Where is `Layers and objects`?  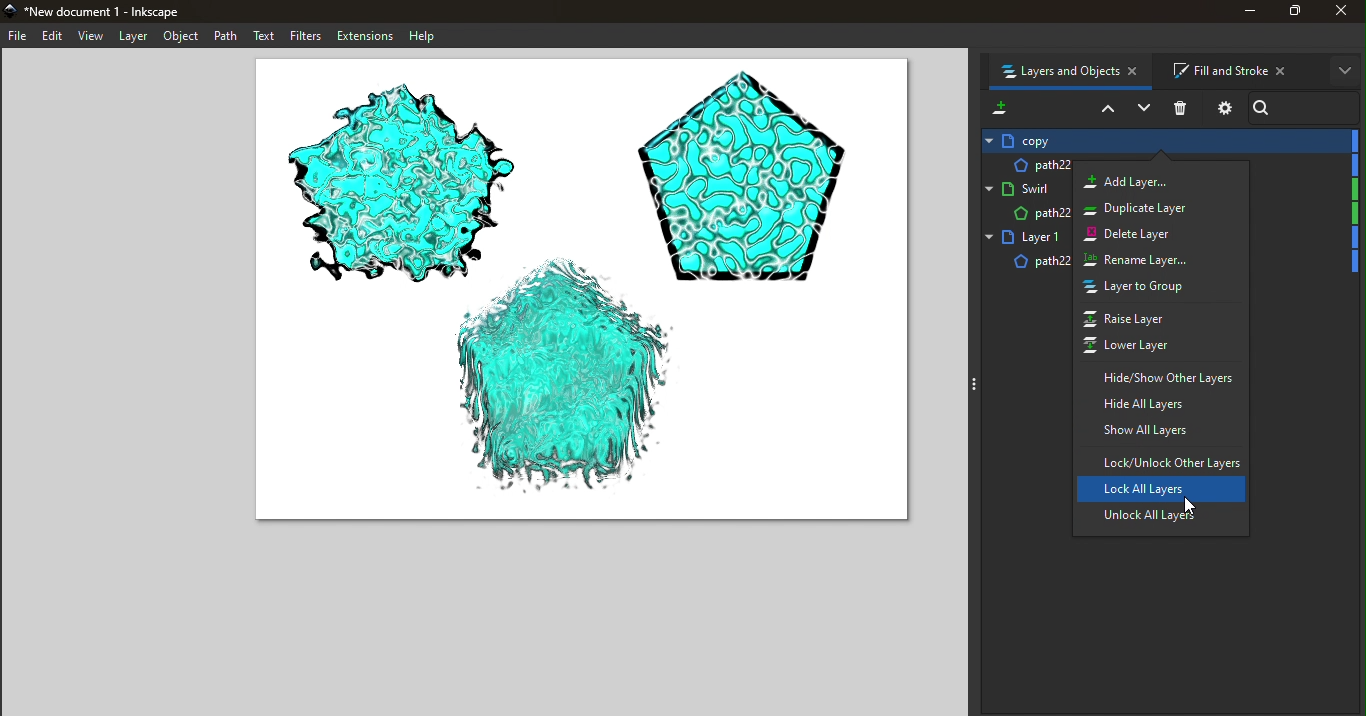 Layers and objects is located at coordinates (1073, 73).